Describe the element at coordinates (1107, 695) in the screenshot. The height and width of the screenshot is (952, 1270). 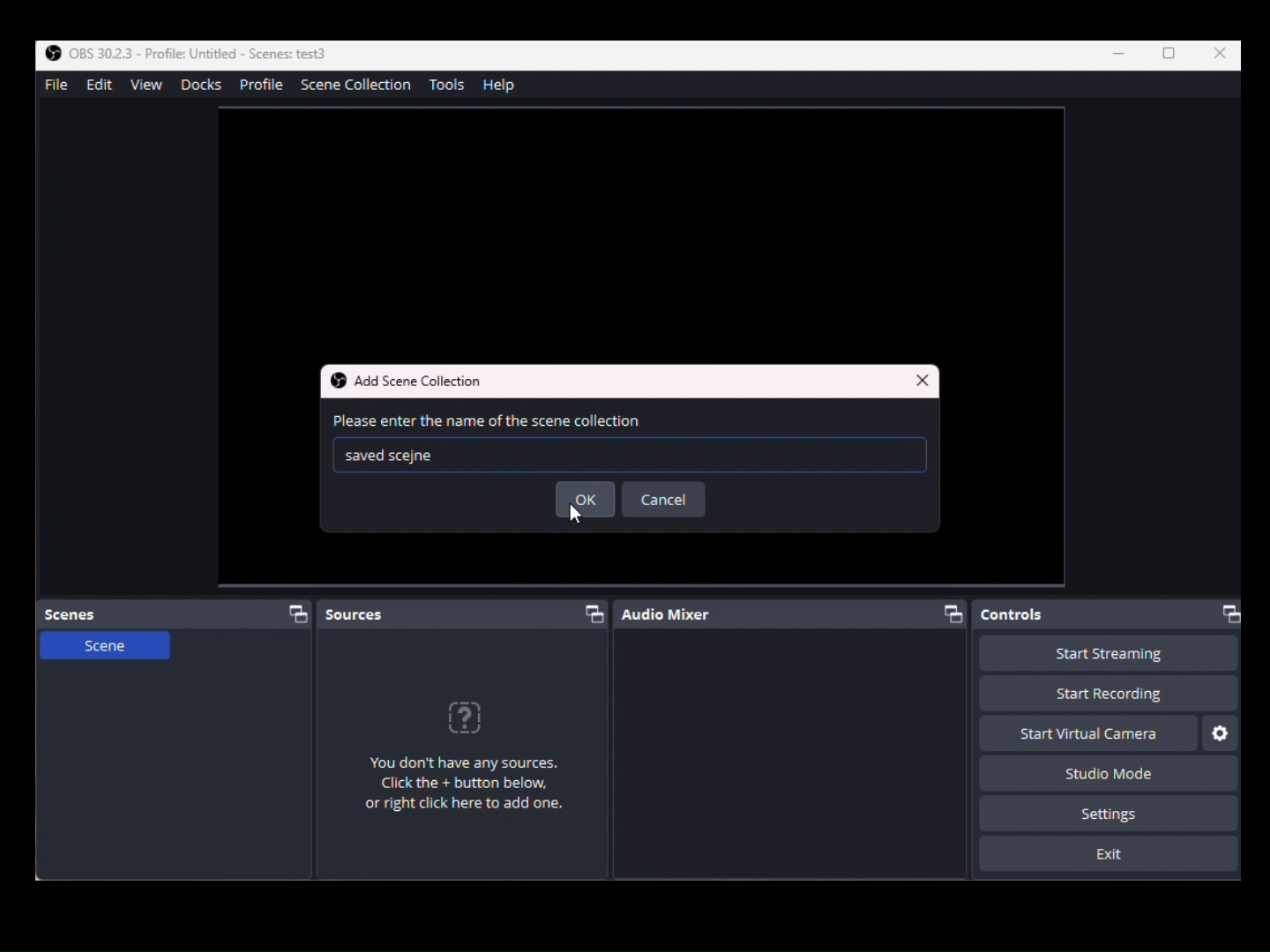
I see `Start Recording` at that location.